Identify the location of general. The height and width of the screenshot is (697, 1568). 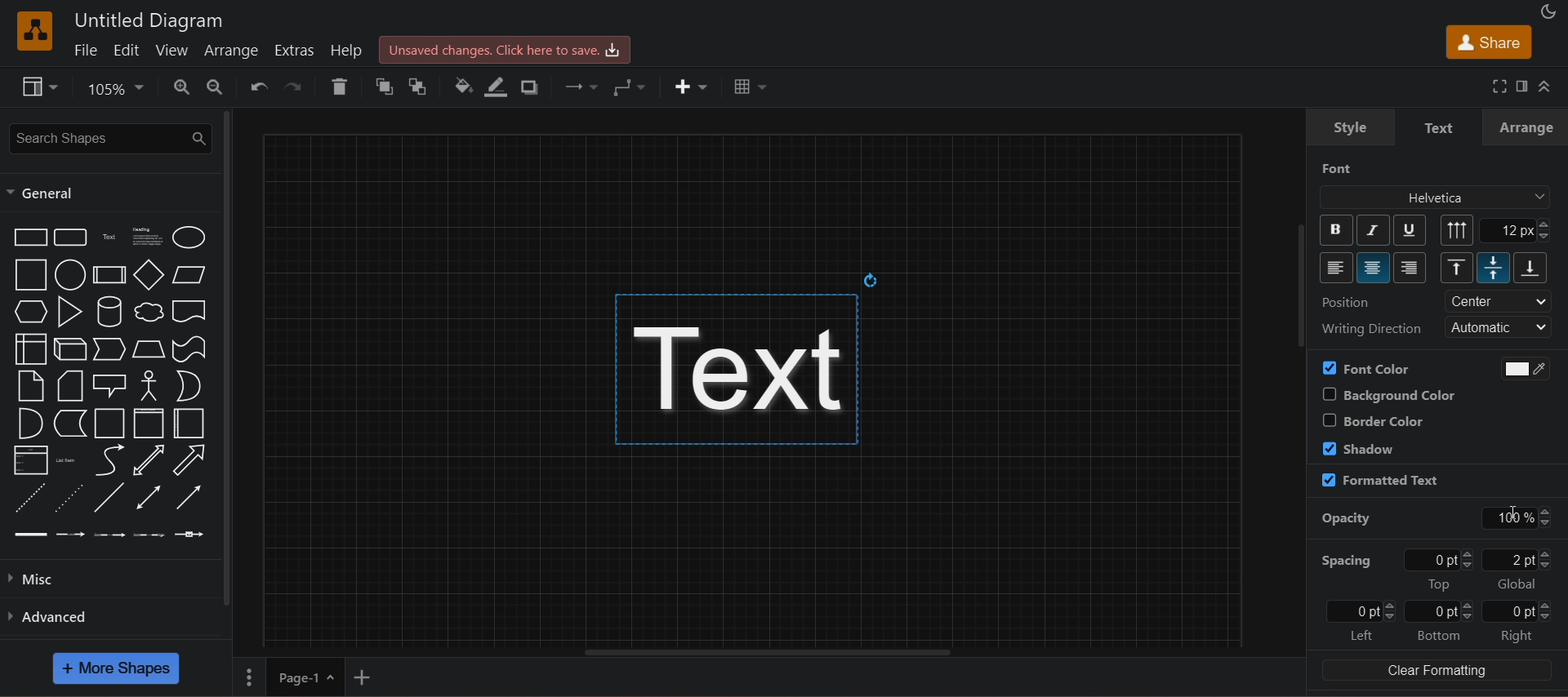
(44, 193).